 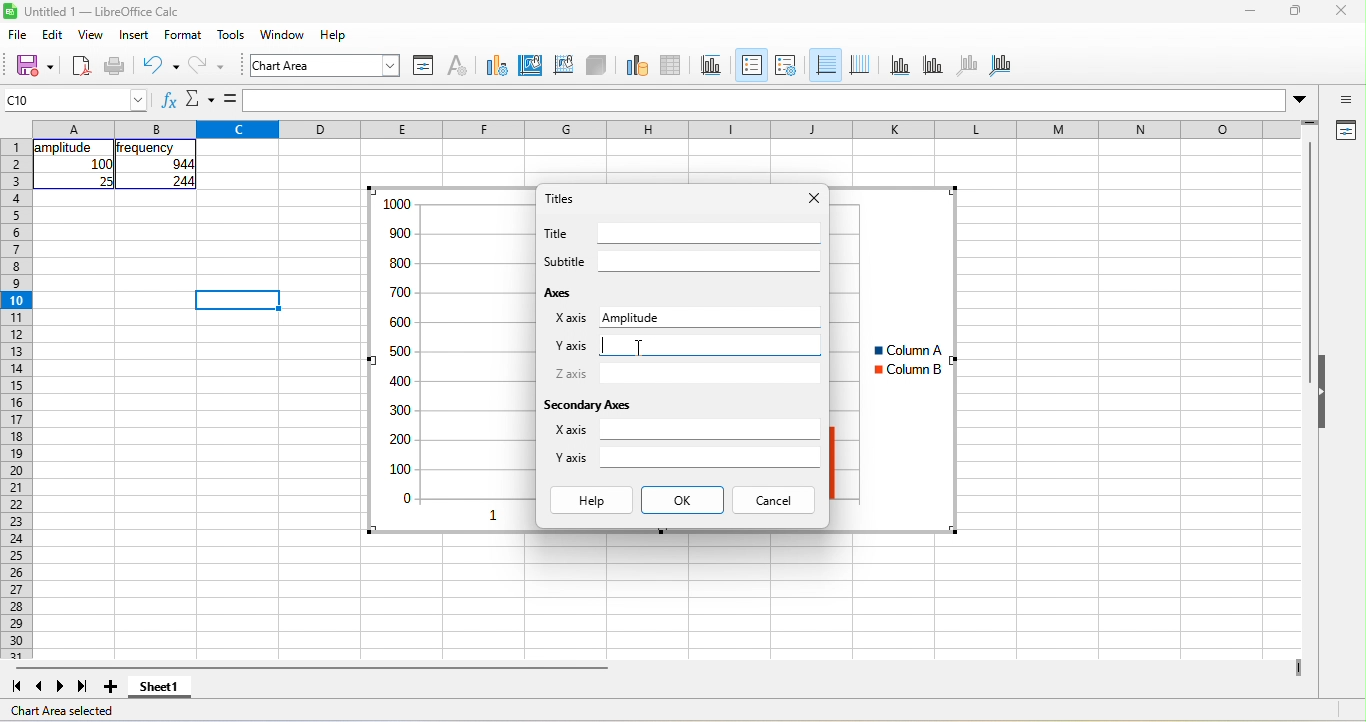 I want to click on More options, so click(x=1299, y=101).